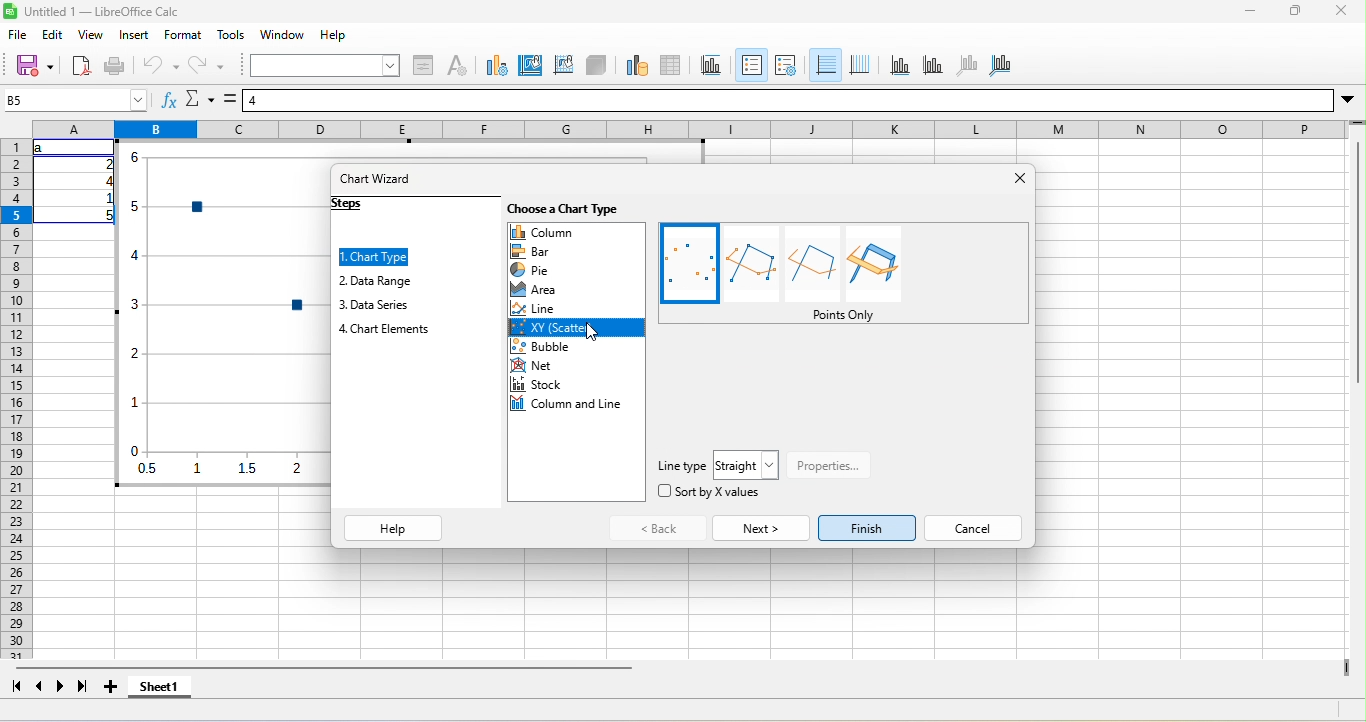  What do you see at coordinates (393, 528) in the screenshot?
I see `help` at bounding box center [393, 528].